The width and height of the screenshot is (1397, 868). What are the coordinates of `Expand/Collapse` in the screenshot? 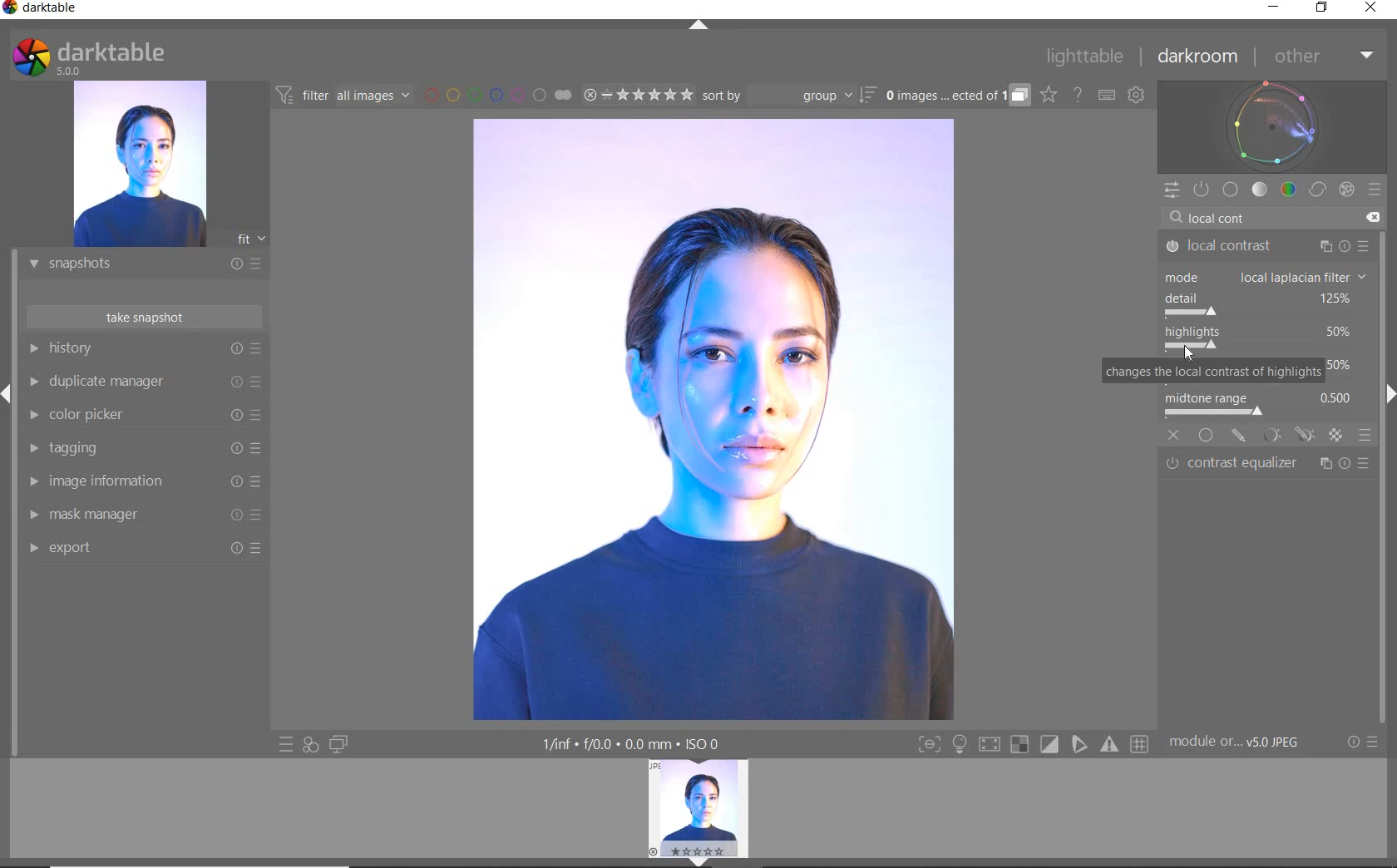 It's located at (1388, 392).